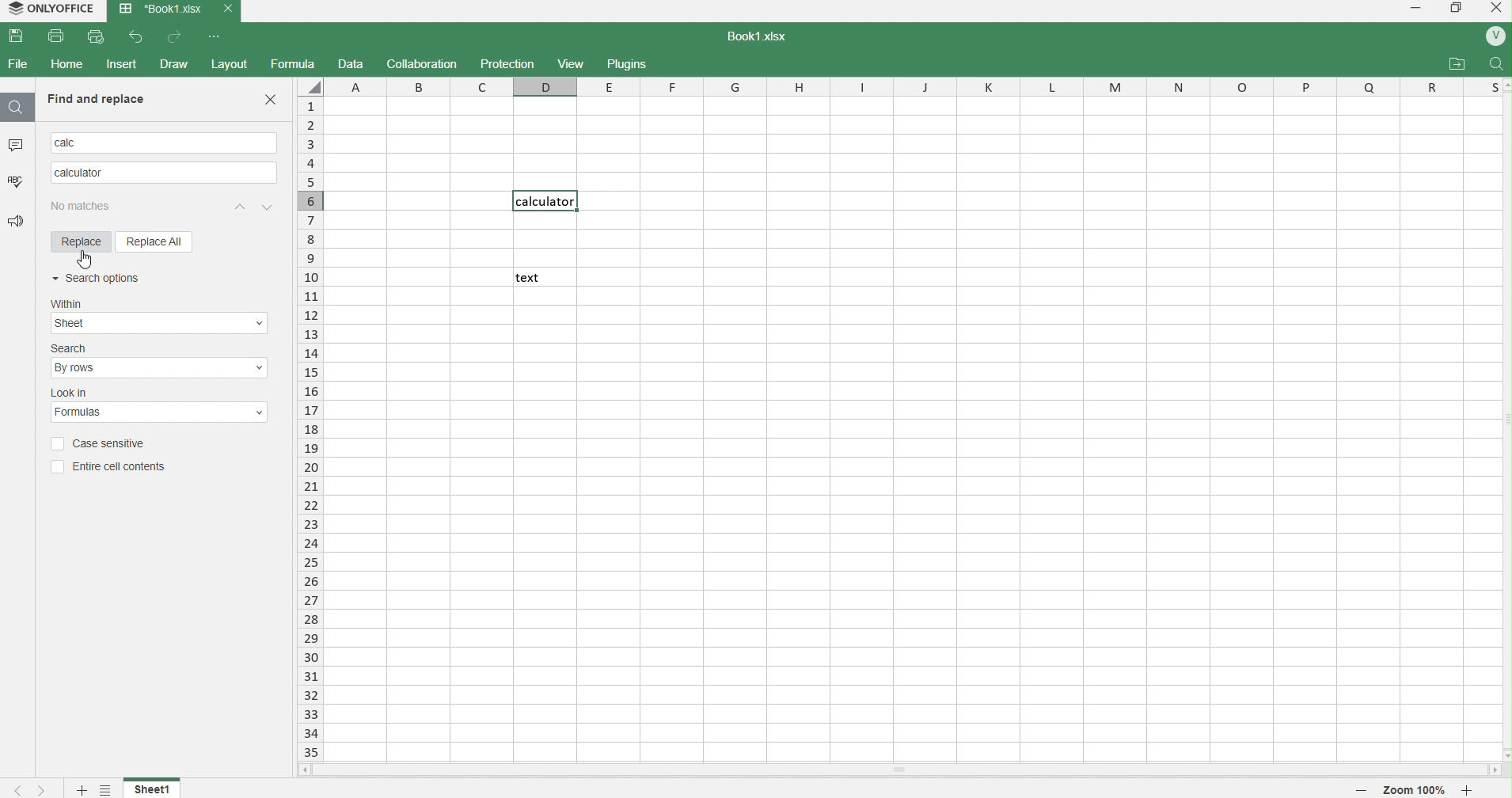 The image size is (1512, 798). Describe the element at coordinates (74, 348) in the screenshot. I see `search` at that location.